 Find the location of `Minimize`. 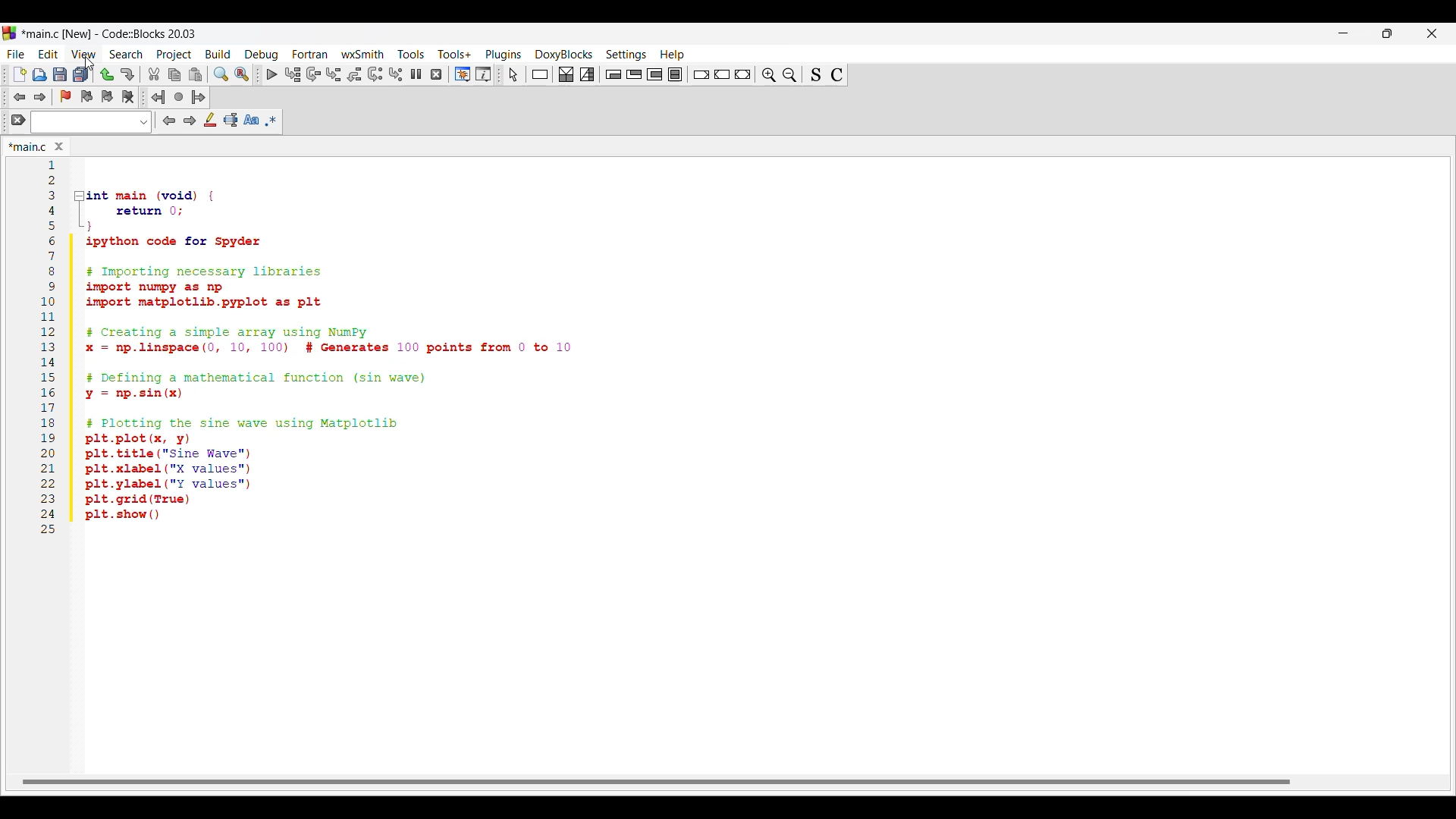

Minimize is located at coordinates (1344, 33).